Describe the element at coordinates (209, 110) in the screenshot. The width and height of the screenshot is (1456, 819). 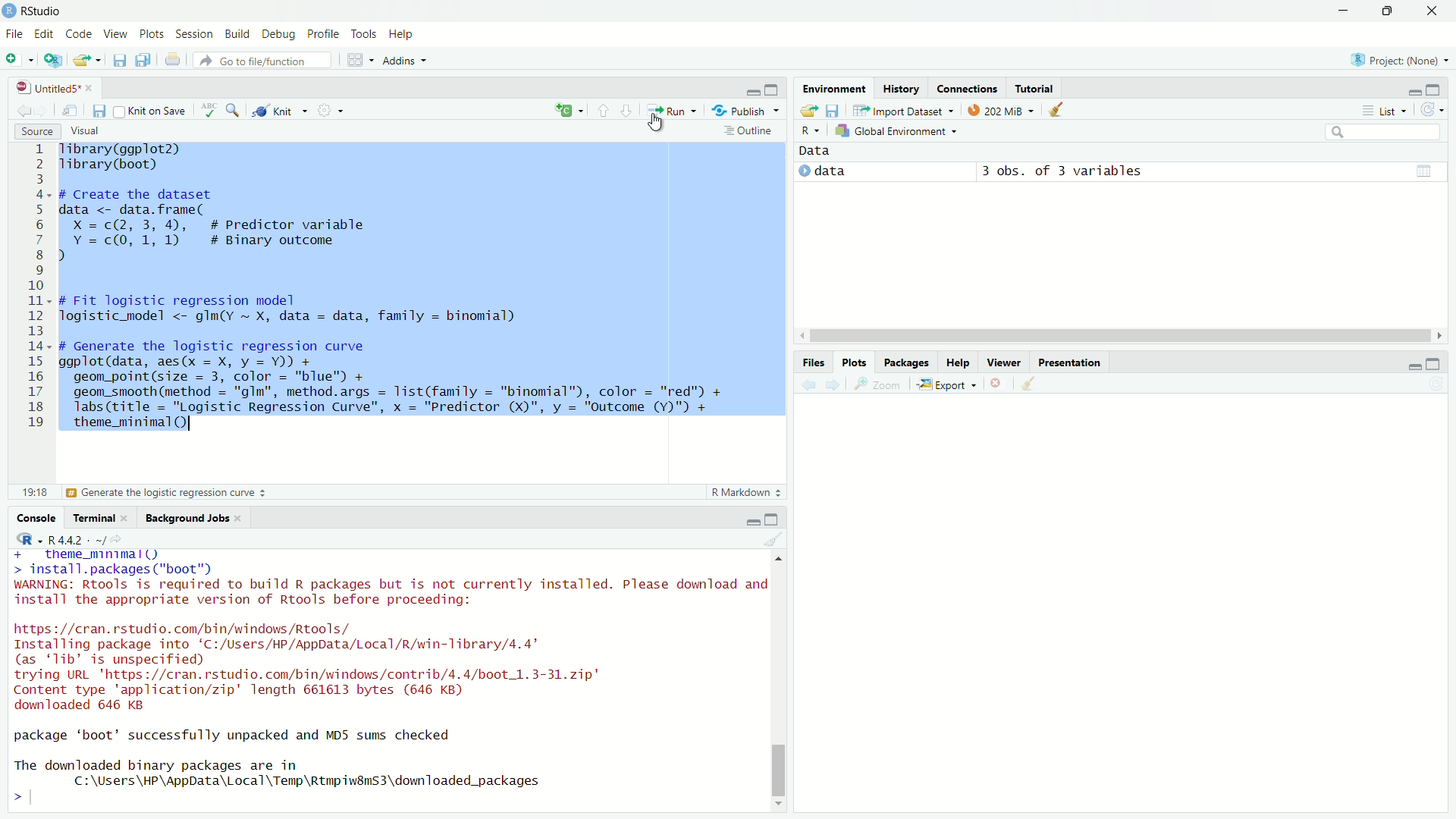
I see `Check spelling in the document` at that location.